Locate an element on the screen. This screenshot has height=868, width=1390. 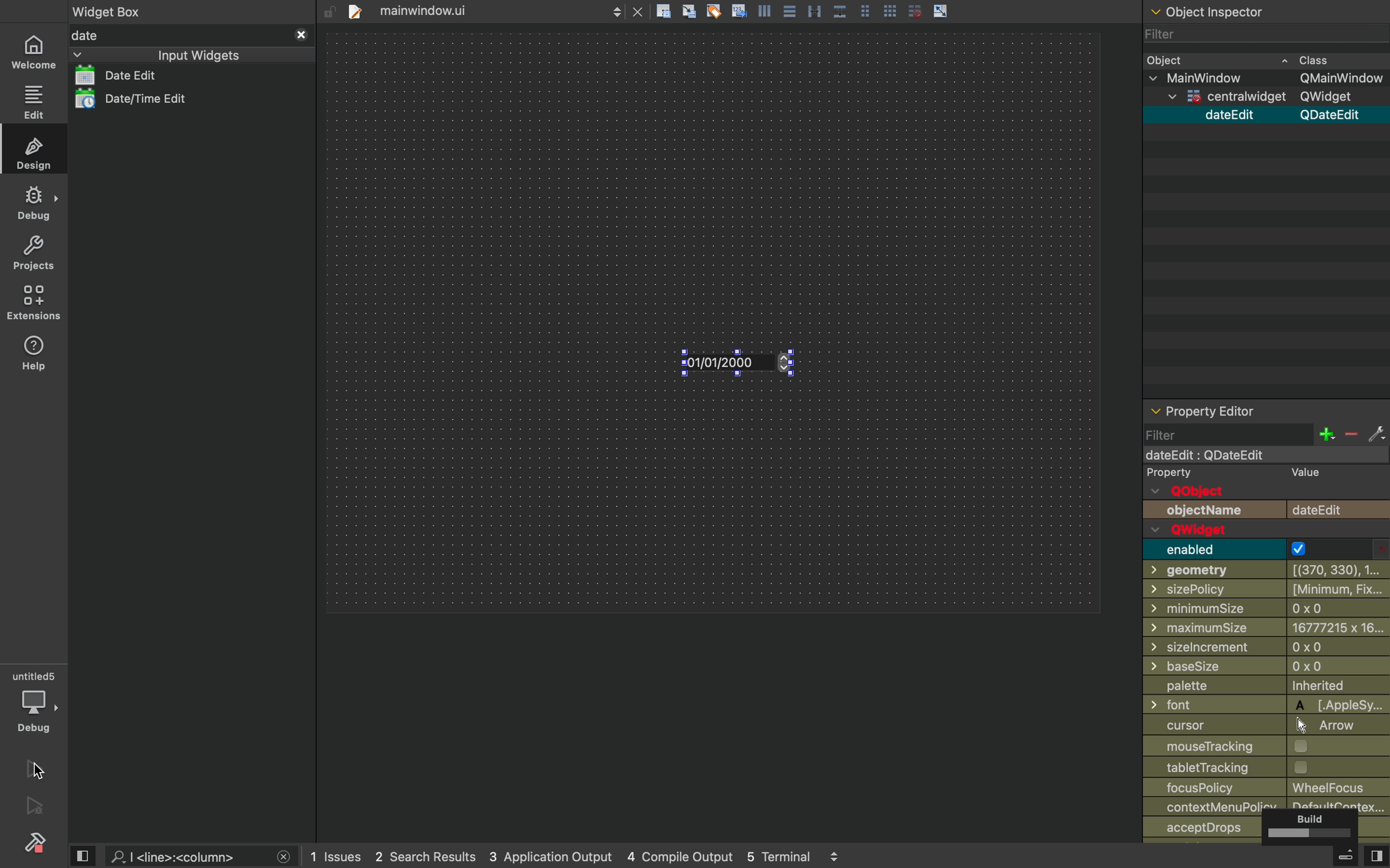
cursor is located at coordinates (1258, 727).